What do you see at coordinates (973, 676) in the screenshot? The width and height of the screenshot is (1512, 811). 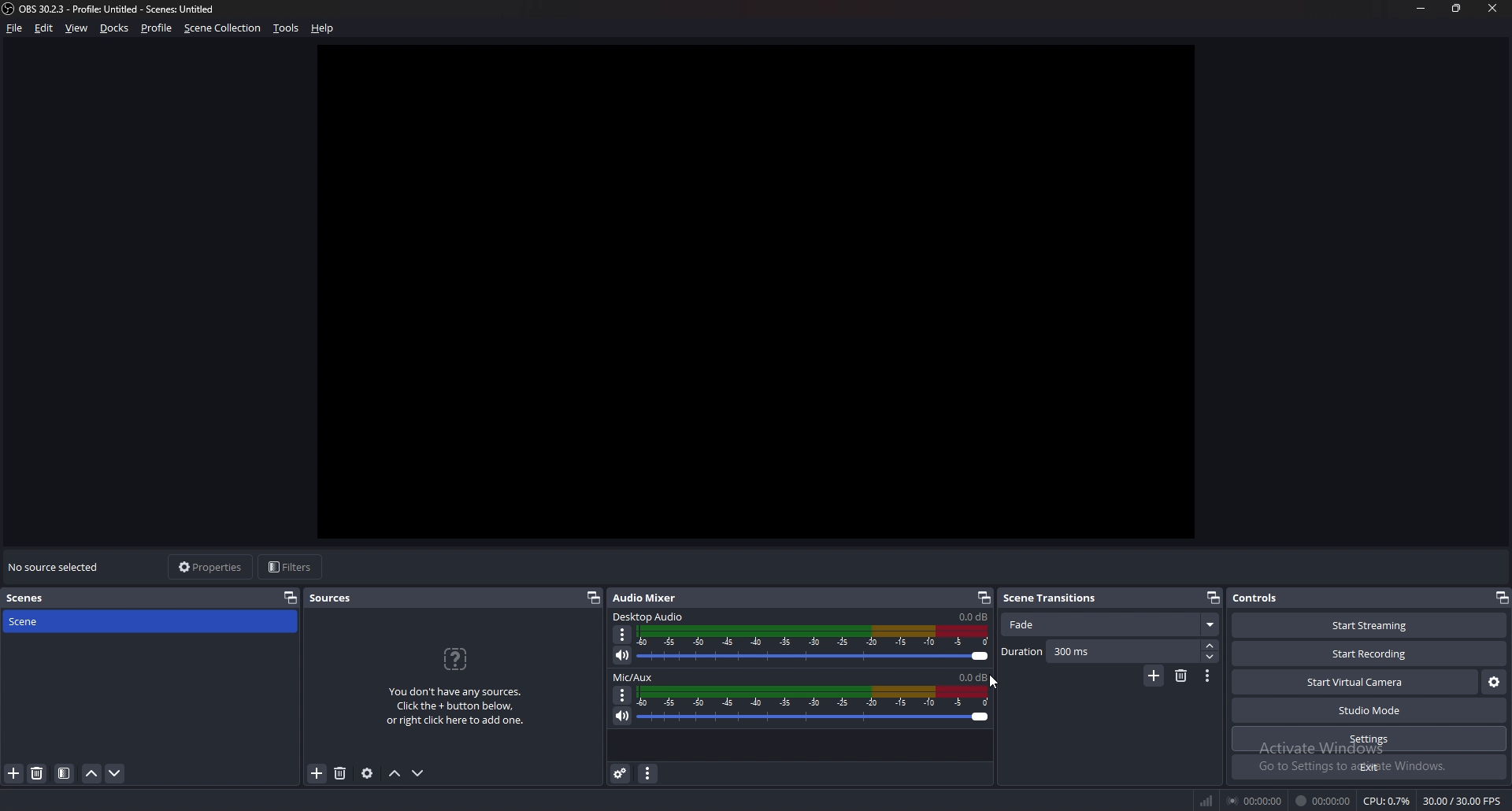 I see `0.0db` at bounding box center [973, 676].